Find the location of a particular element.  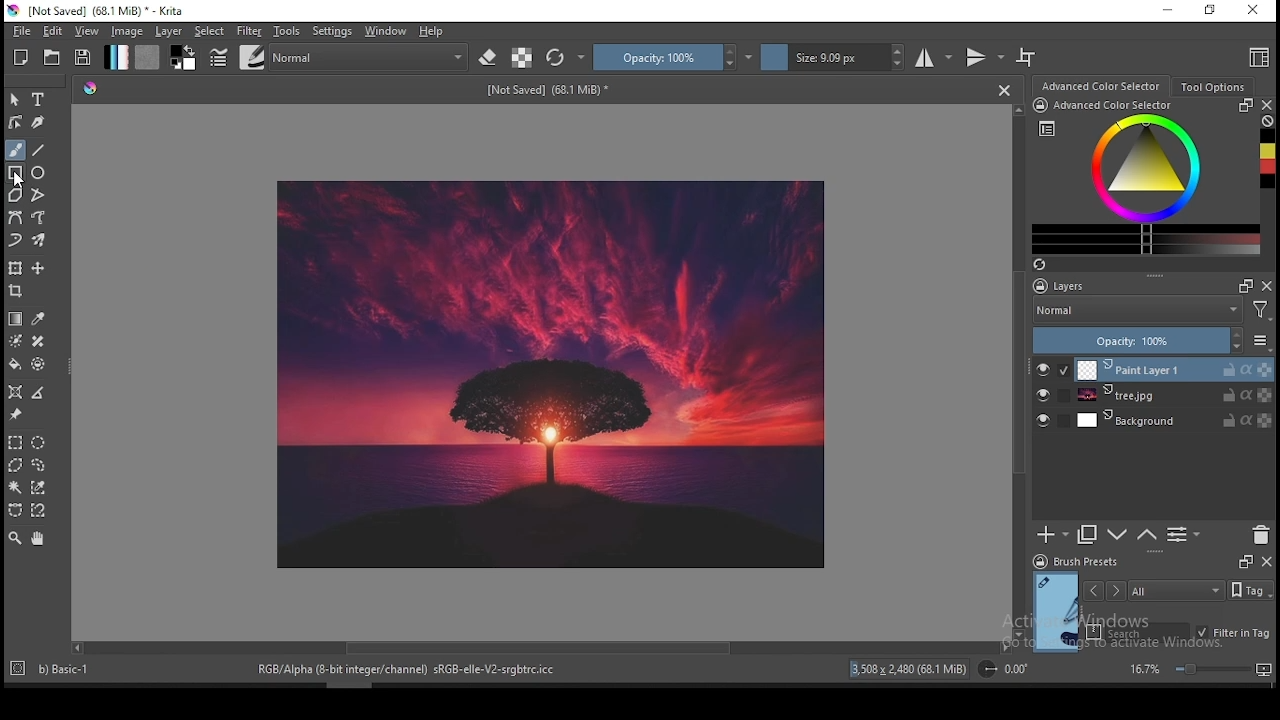

[Not Saved] (68.1 MiB) * is located at coordinates (551, 91).